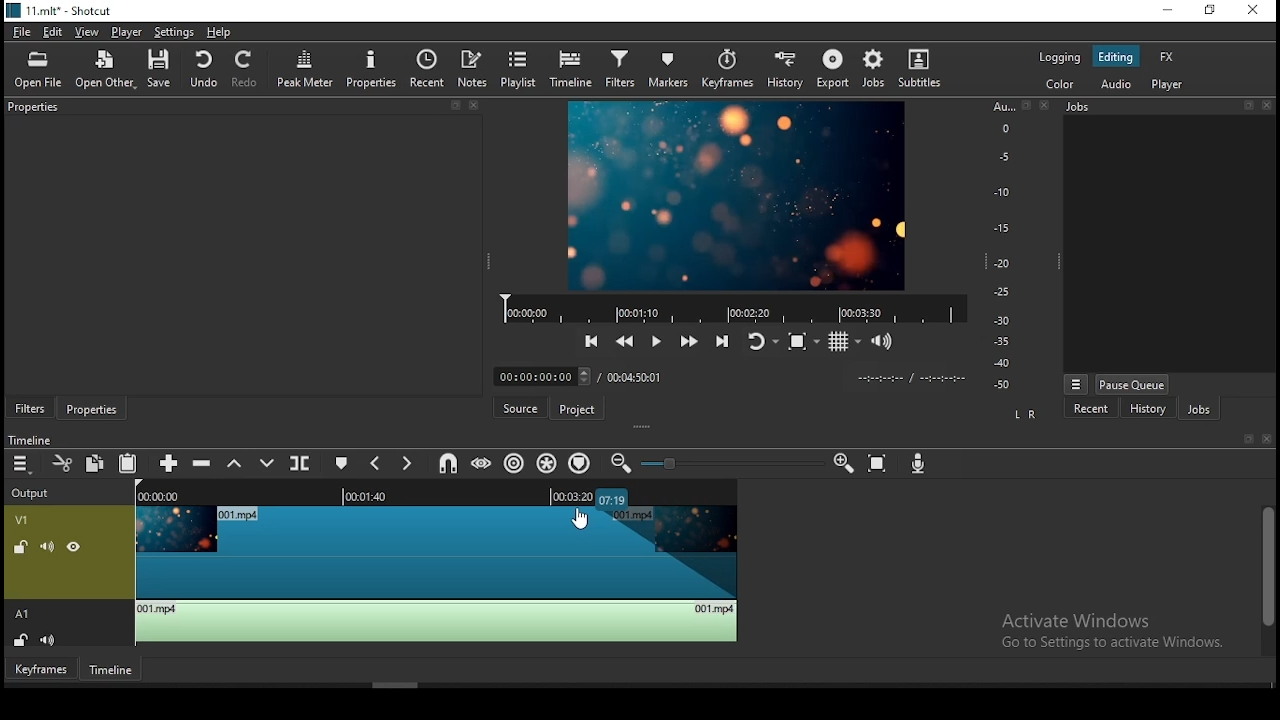  What do you see at coordinates (919, 464) in the screenshot?
I see `record audio` at bounding box center [919, 464].